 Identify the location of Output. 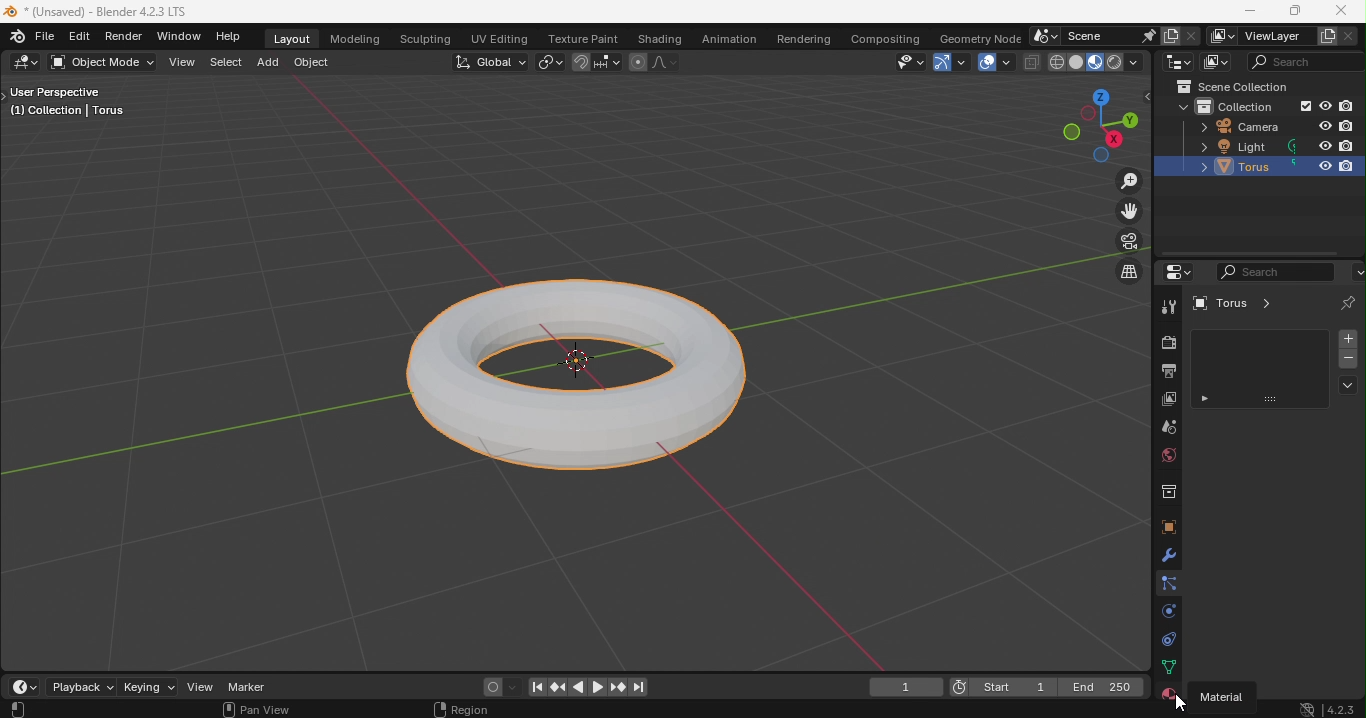
(1167, 370).